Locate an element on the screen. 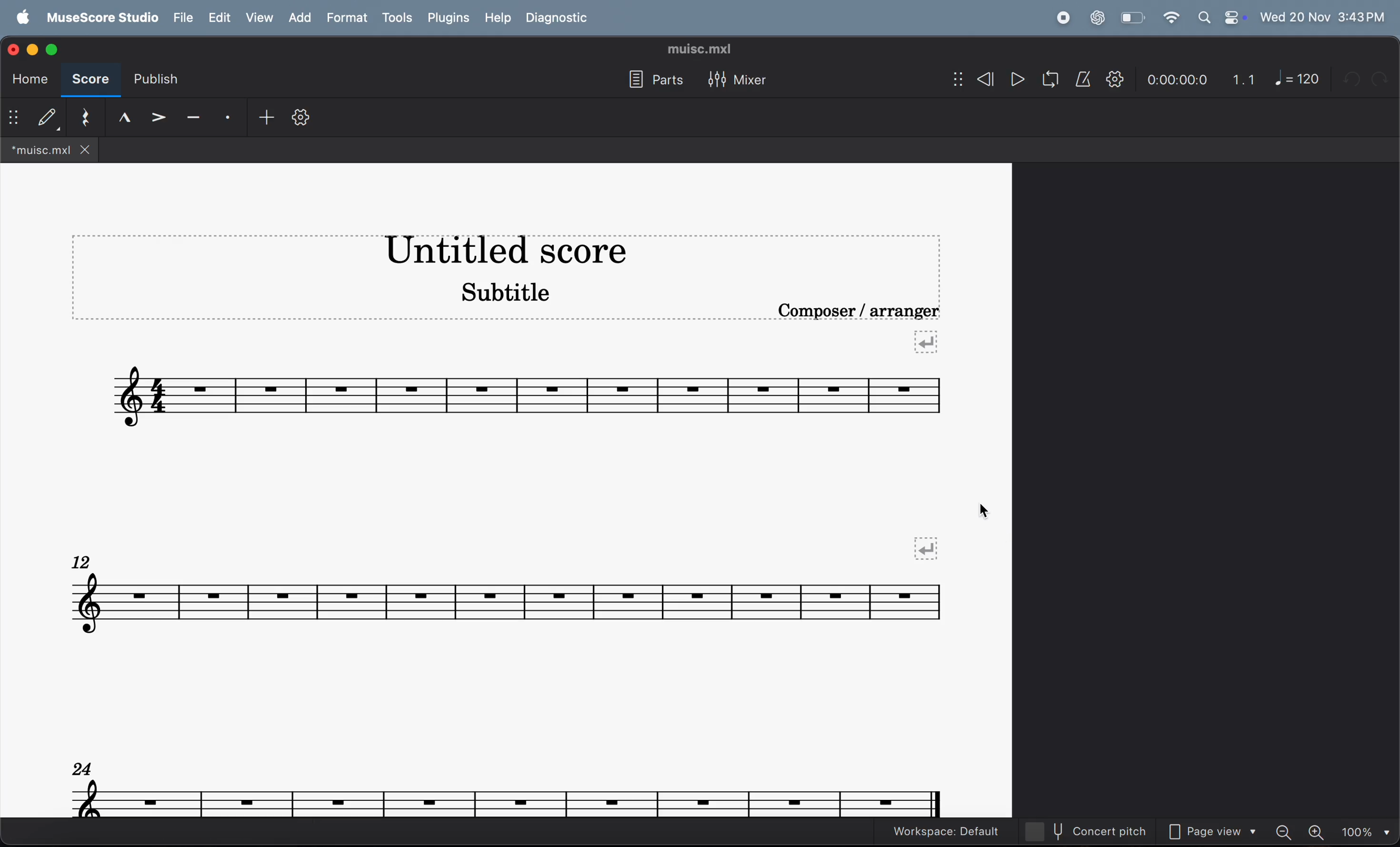 The image size is (1400, 847). tenuto is located at coordinates (192, 116).